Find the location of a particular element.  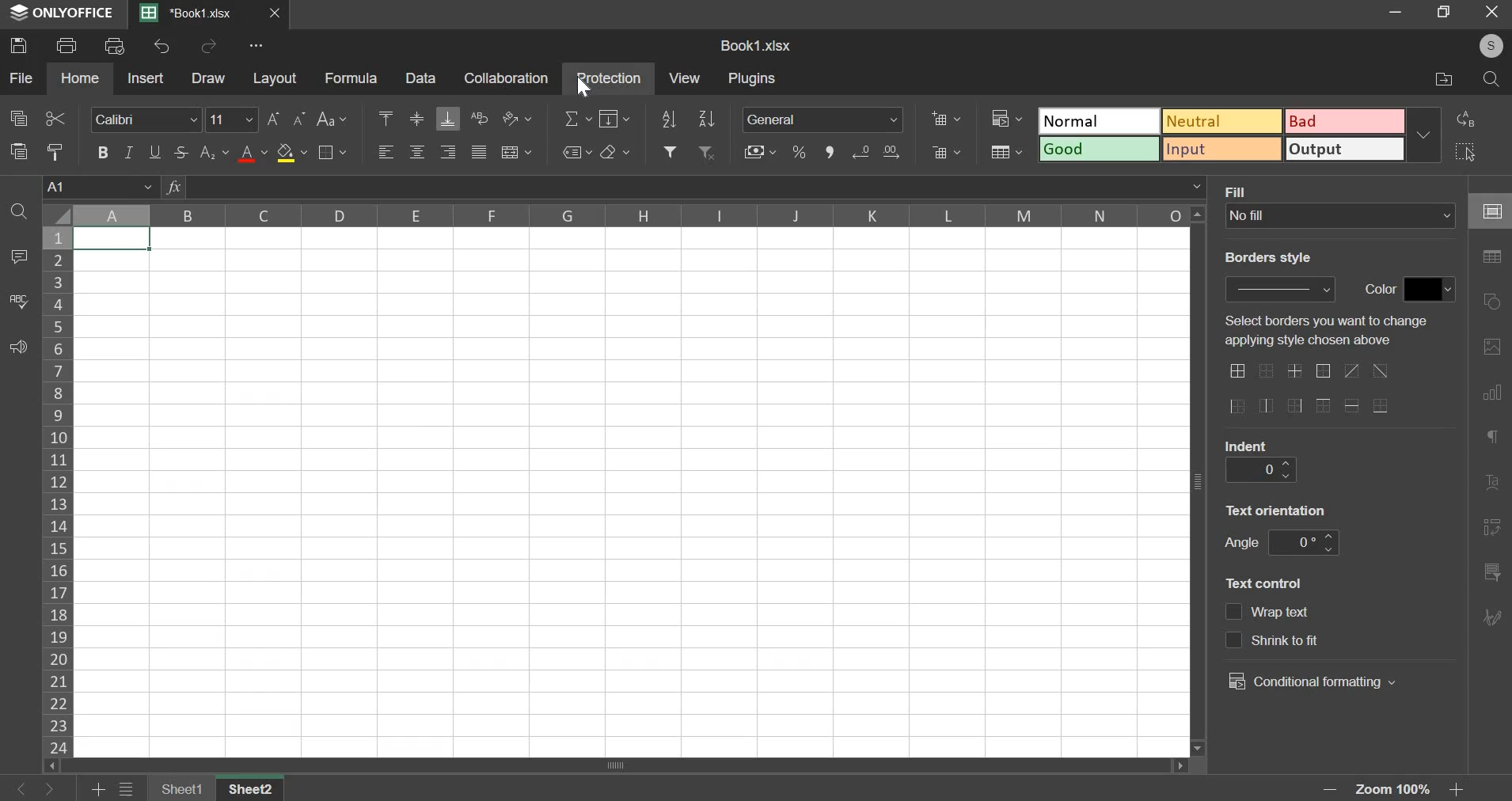

zoom out is located at coordinates (1333, 789).